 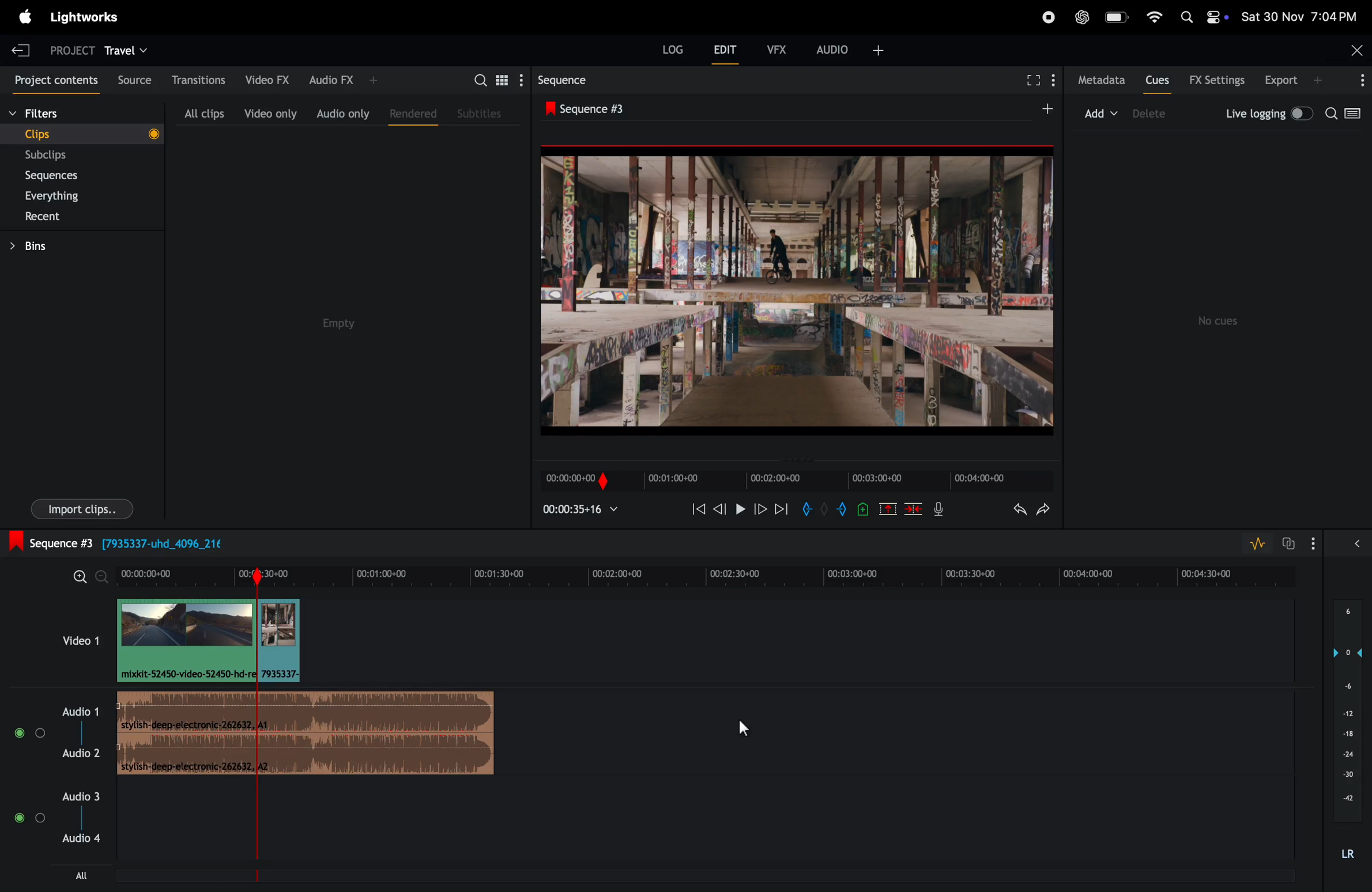 I want to click on audio +, so click(x=853, y=48).